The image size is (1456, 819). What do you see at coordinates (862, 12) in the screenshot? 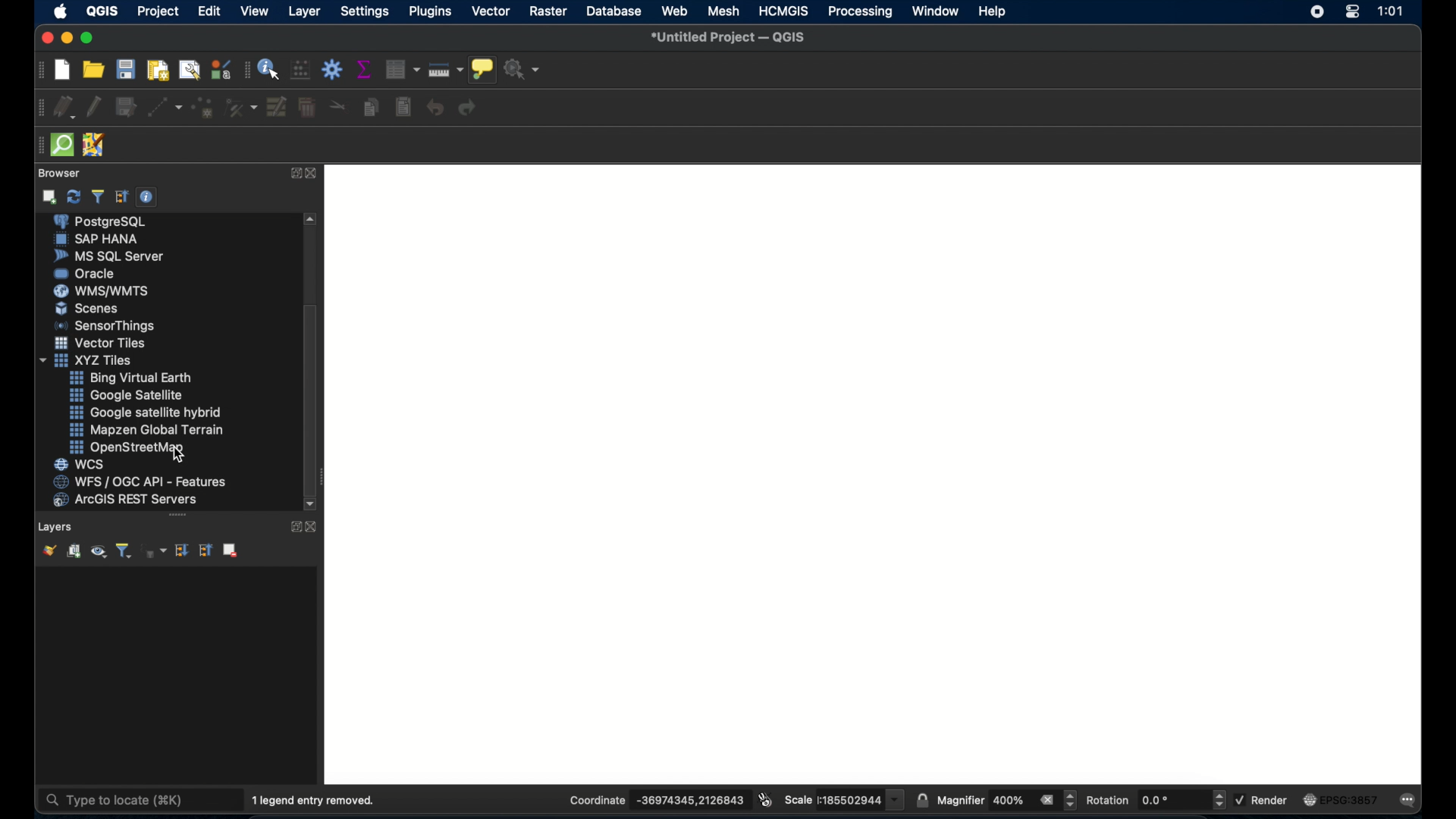
I see `processing` at bounding box center [862, 12].